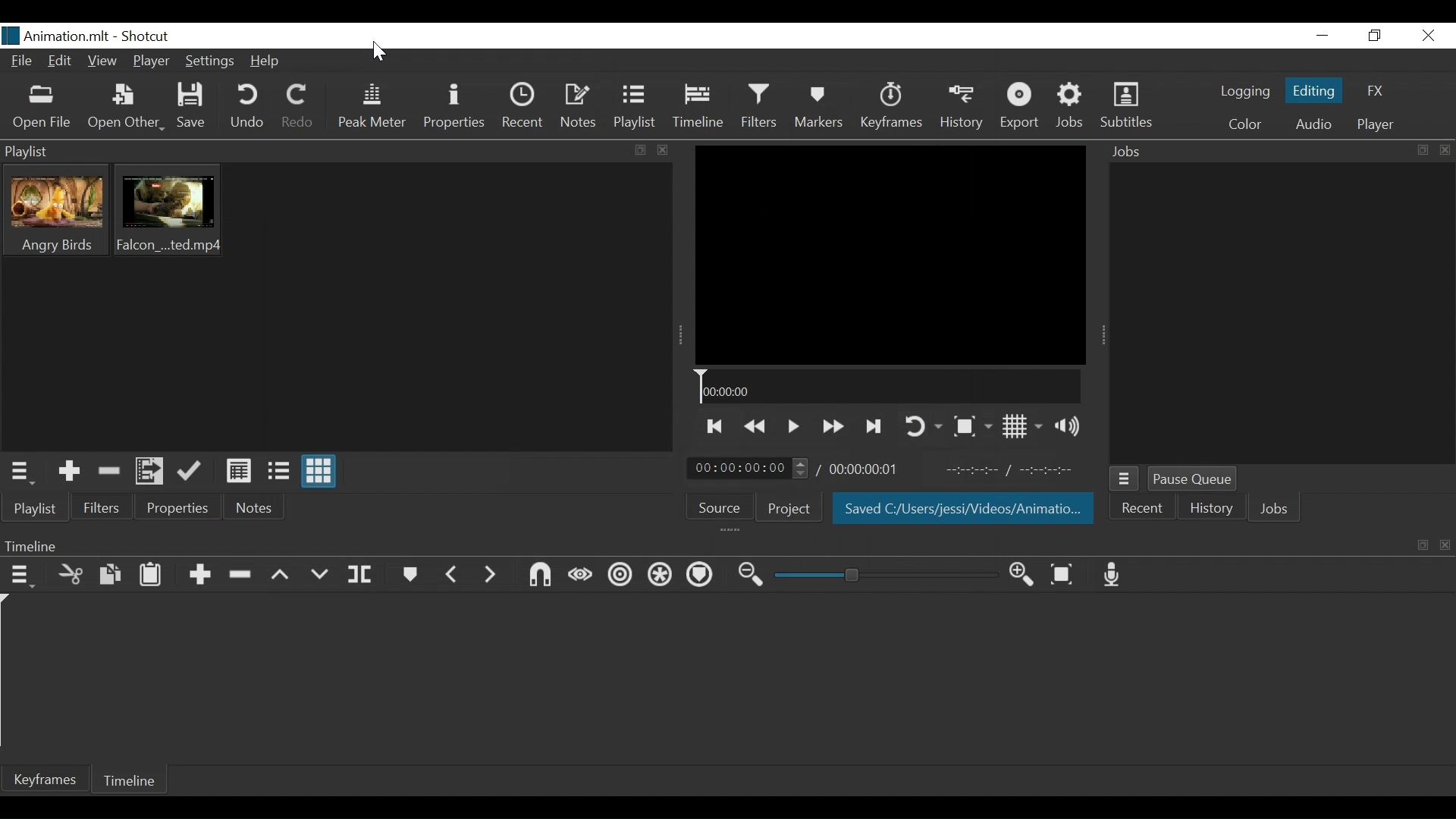 This screenshot has height=819, width=1456. I want to click on Color, so click(1244, 124).